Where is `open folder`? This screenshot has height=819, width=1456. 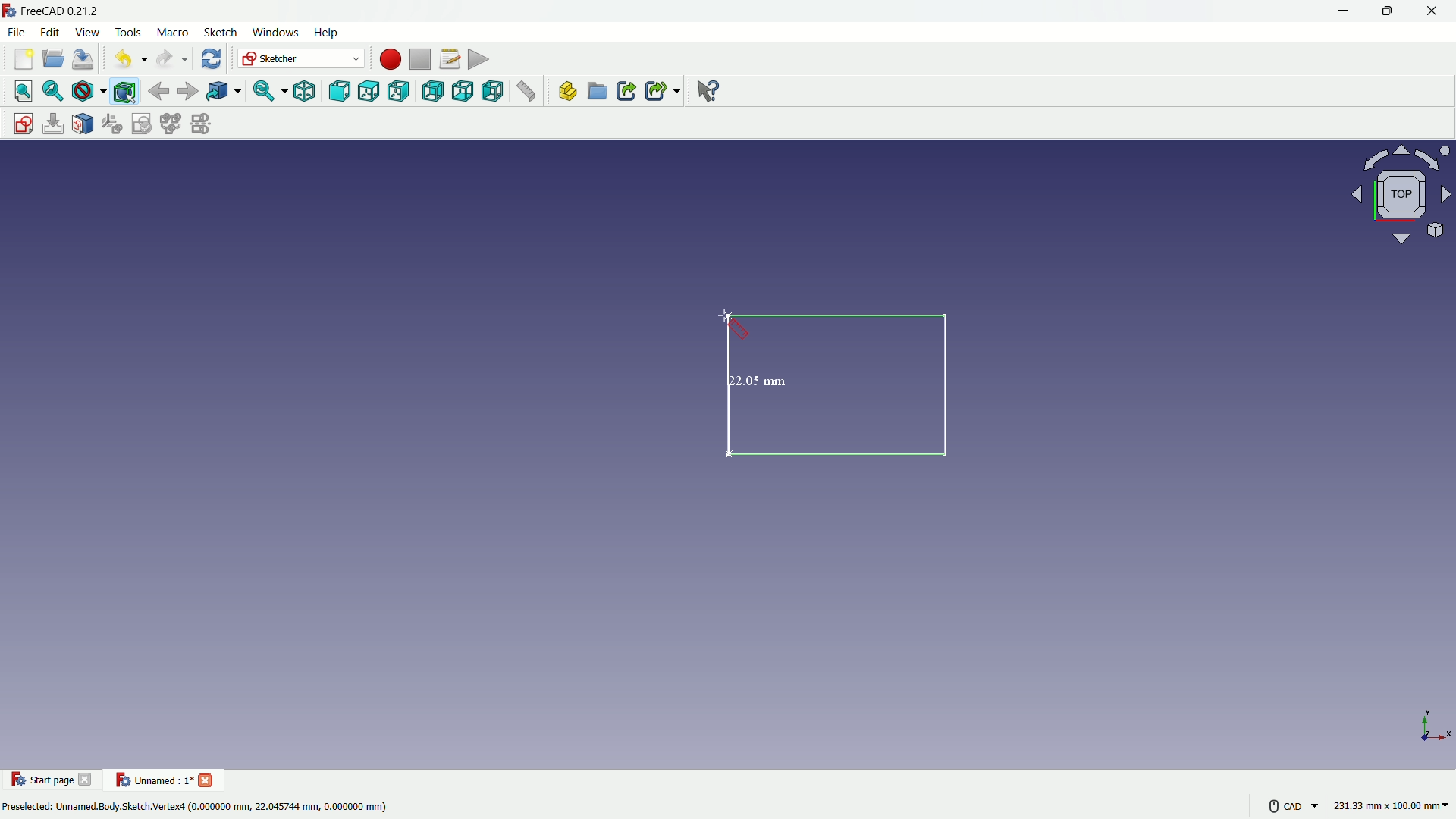 open folder is located at coordinates (52, 60).